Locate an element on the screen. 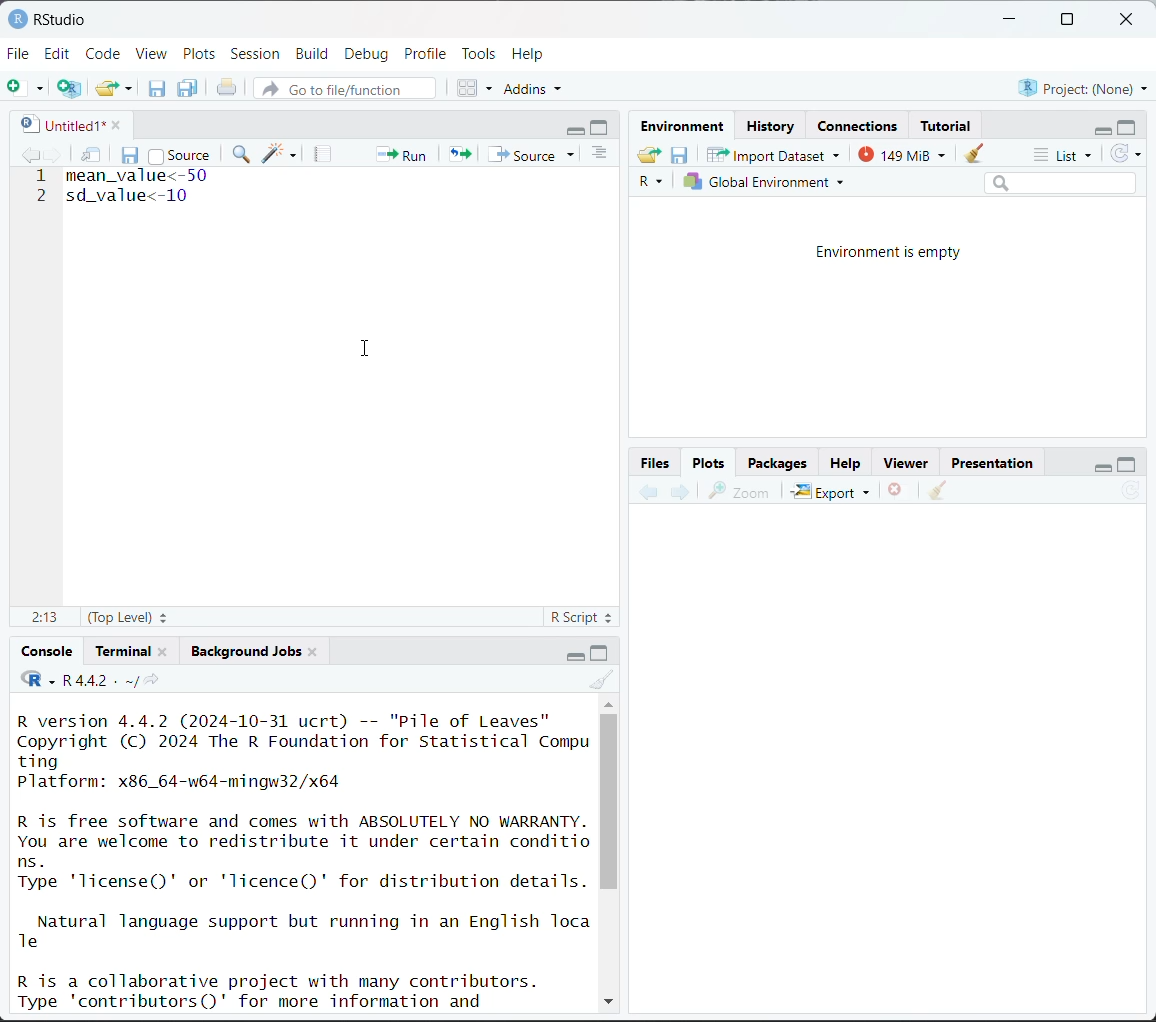  cursor is located at coordinates (369, 349).